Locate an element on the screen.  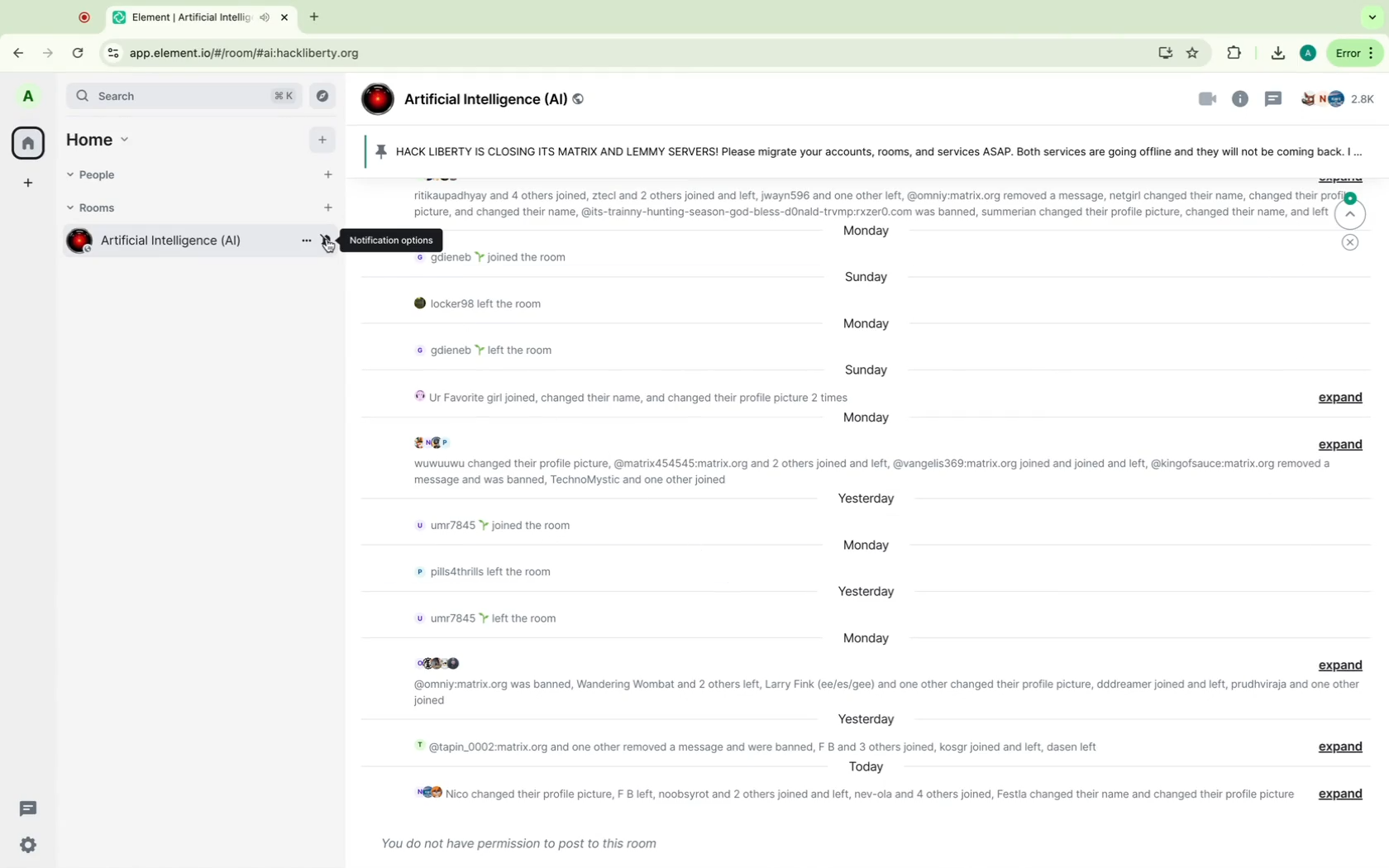
explore rooms is located at coordinates (323, 96).